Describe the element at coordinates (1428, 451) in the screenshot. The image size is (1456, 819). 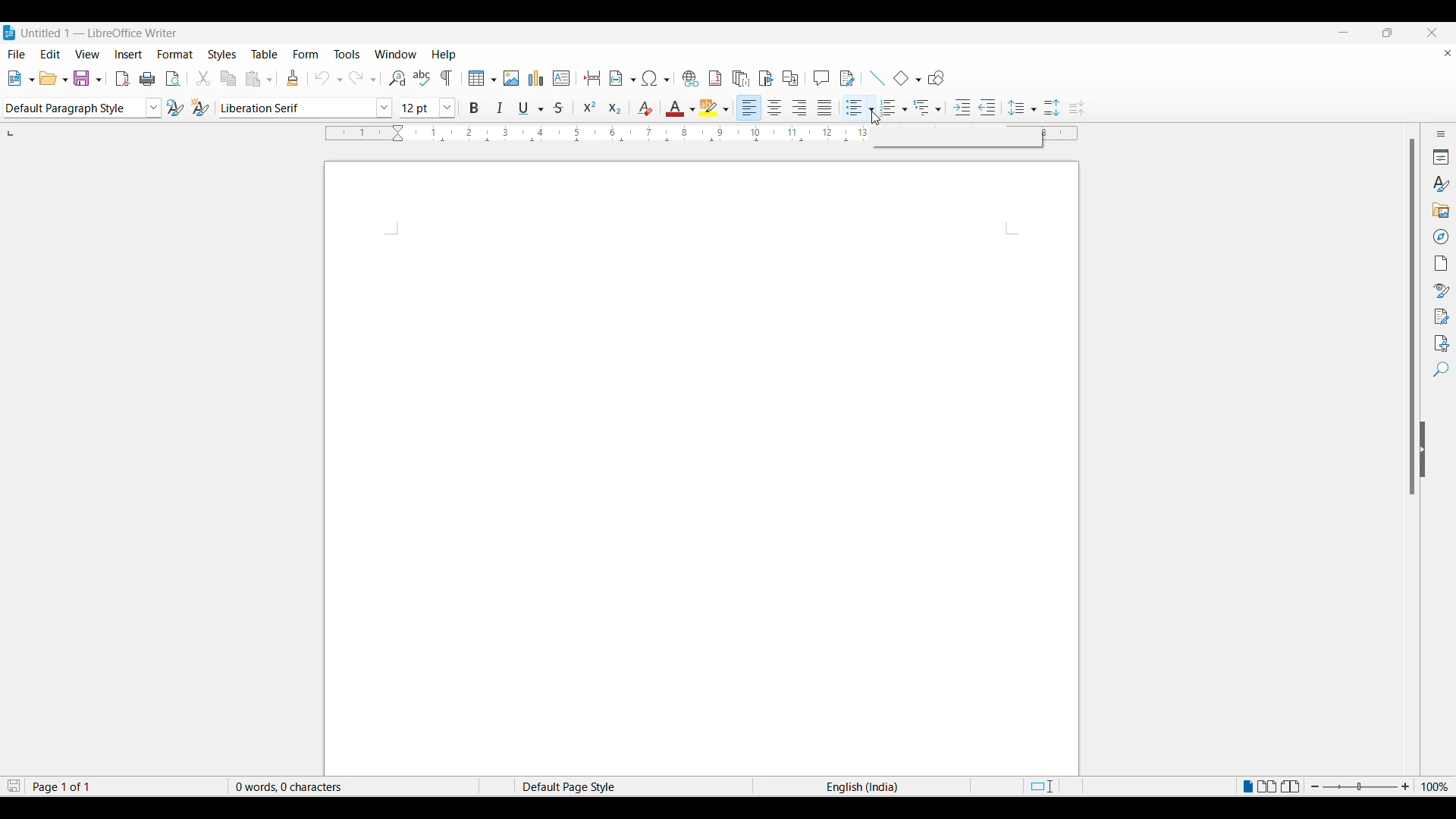
I see `collapse` at that location.